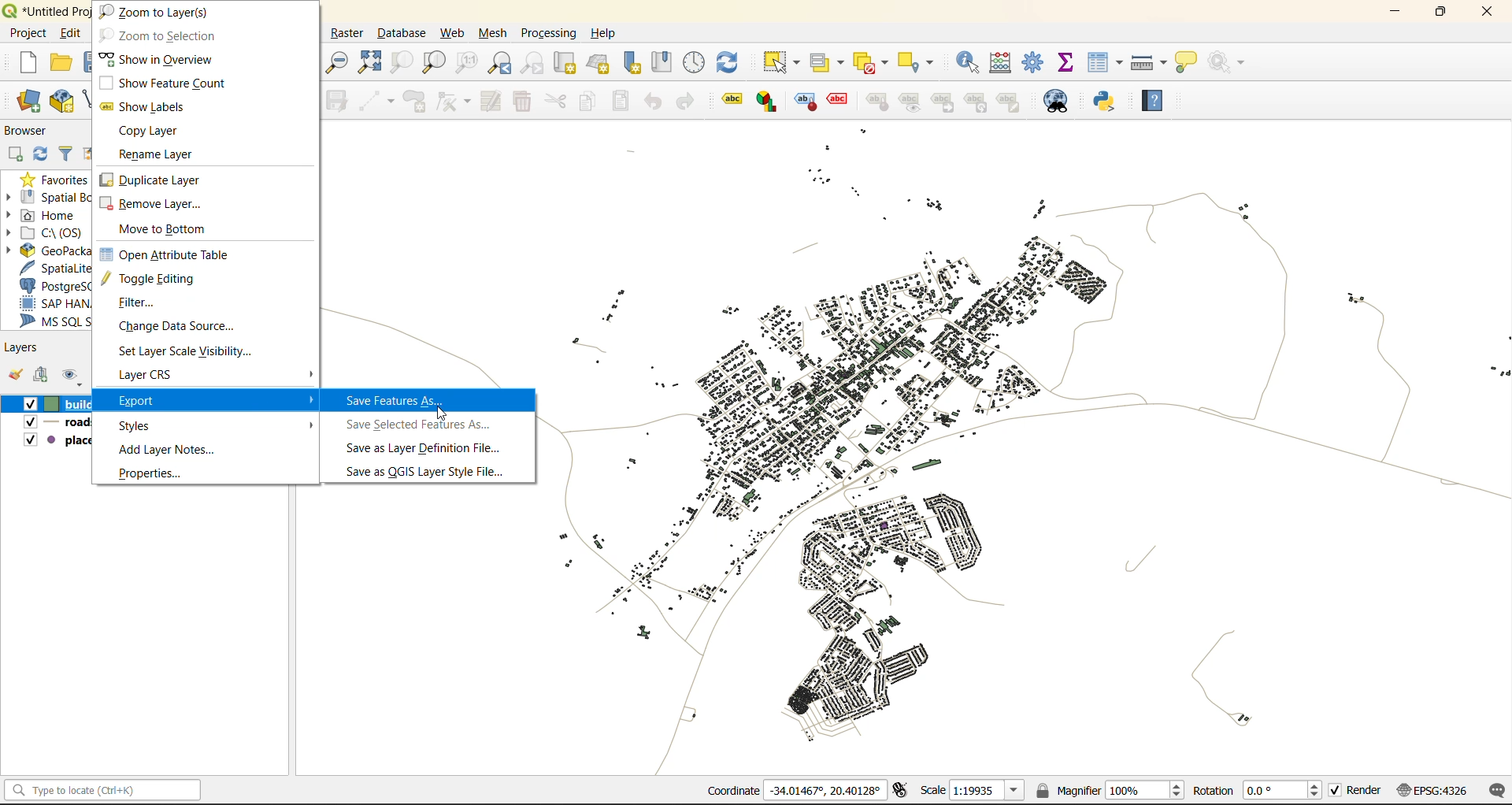 The image size is (1512, 805). What do you see at coordinates (469, 61) in the screenshot?
I see `zoom native` at bounding box center [469, 61].